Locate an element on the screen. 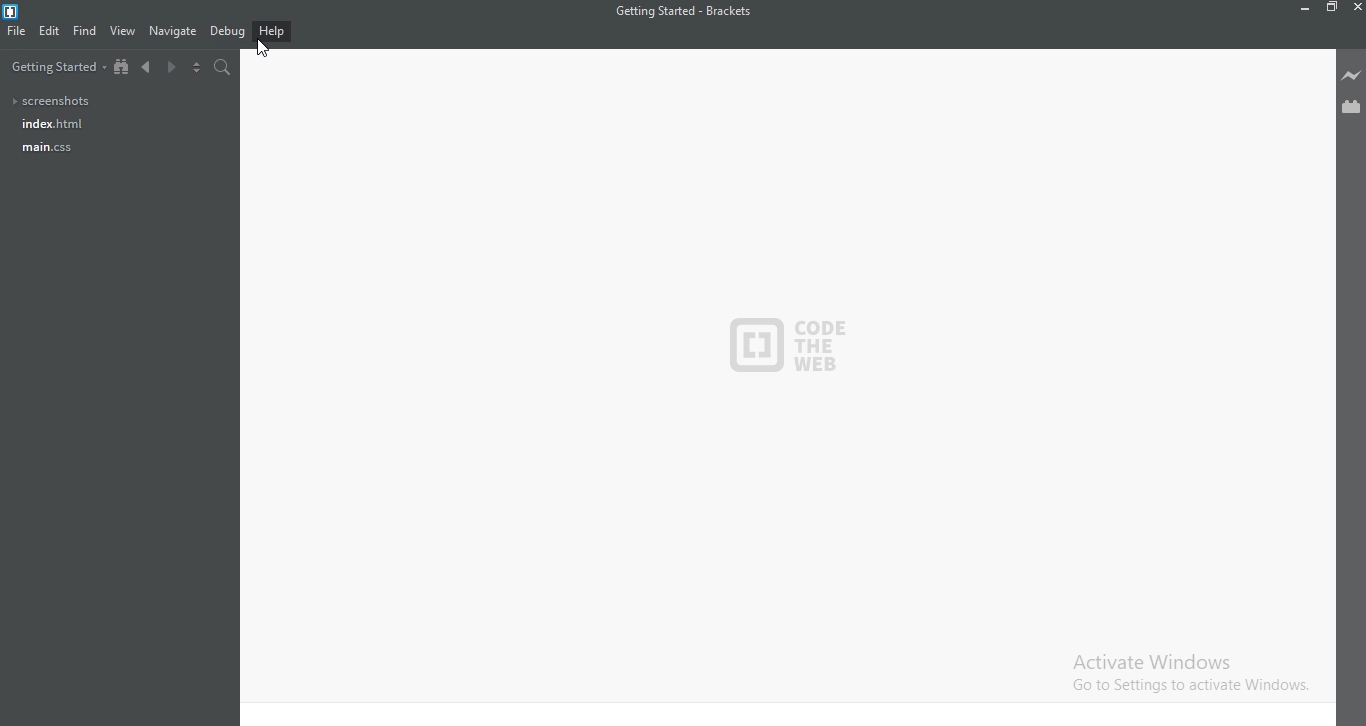 This screenshot has width=1366, height=726. main.css is located at coordinates (50, 149).